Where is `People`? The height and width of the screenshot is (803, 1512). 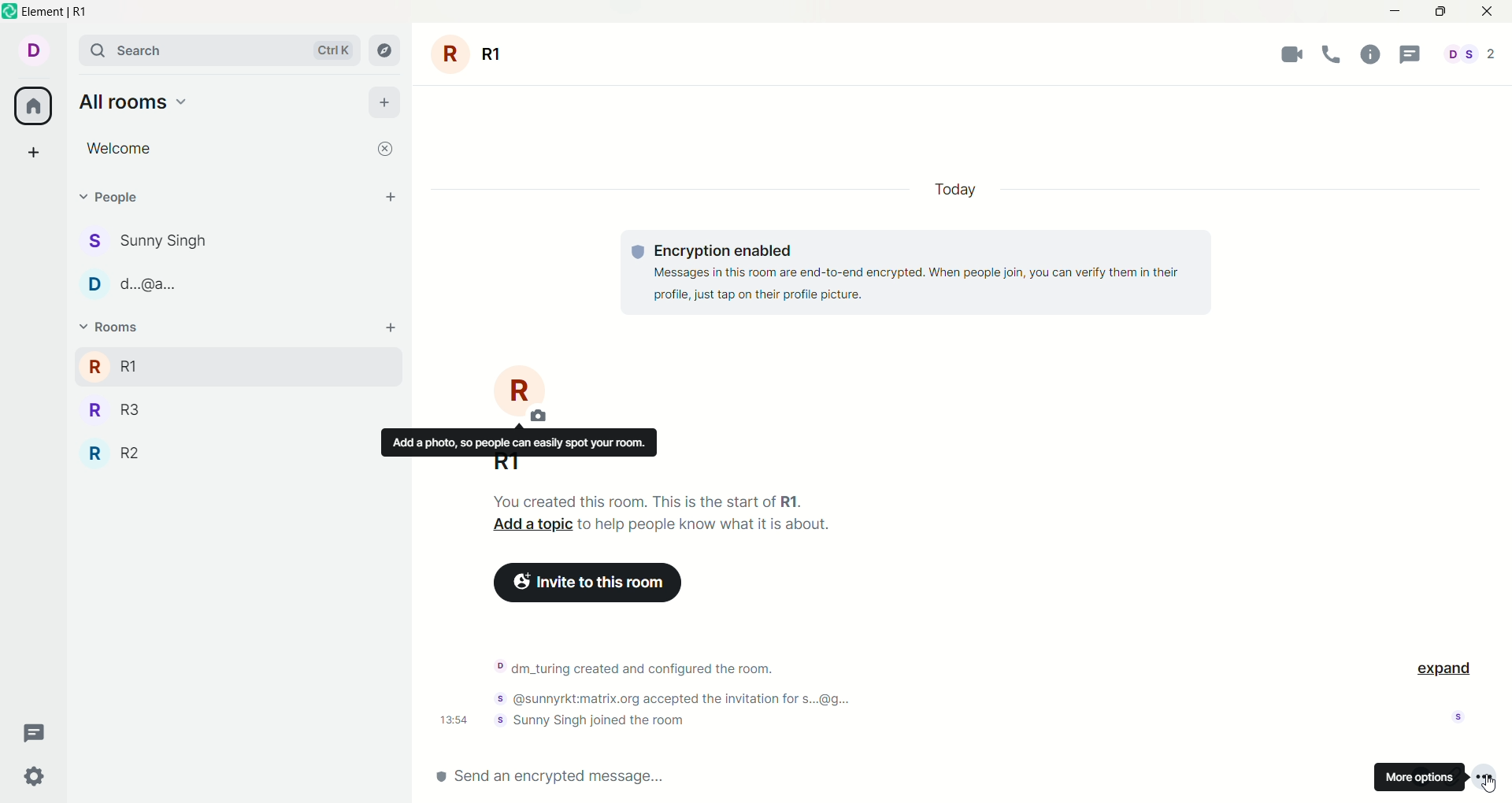 People is located at coordinates (120, 197).